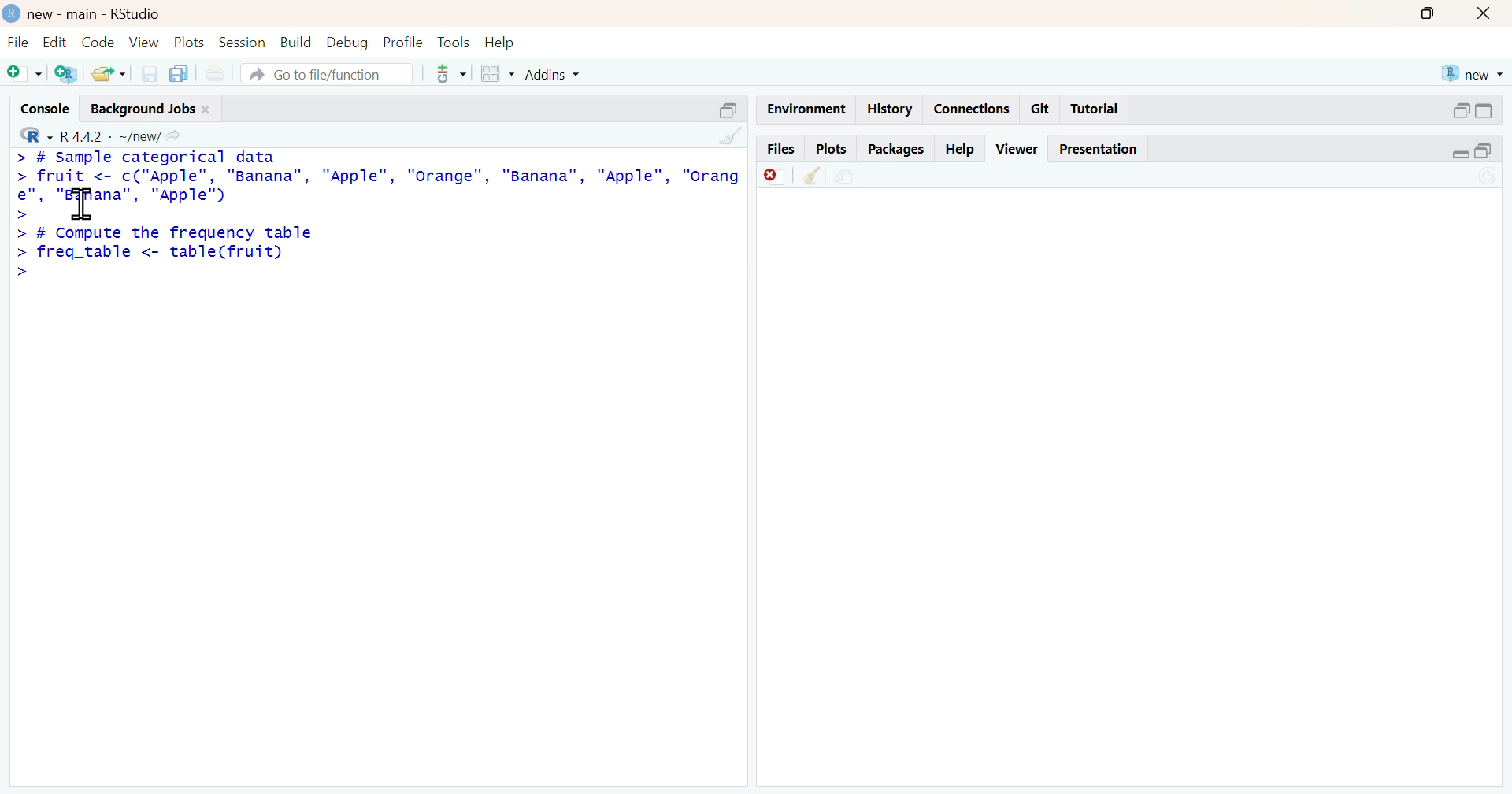 This screenshot has width=1512, height=794. Describe the element at coordinates (150, 110) in the screenshot. I see `background jobs` at that location.